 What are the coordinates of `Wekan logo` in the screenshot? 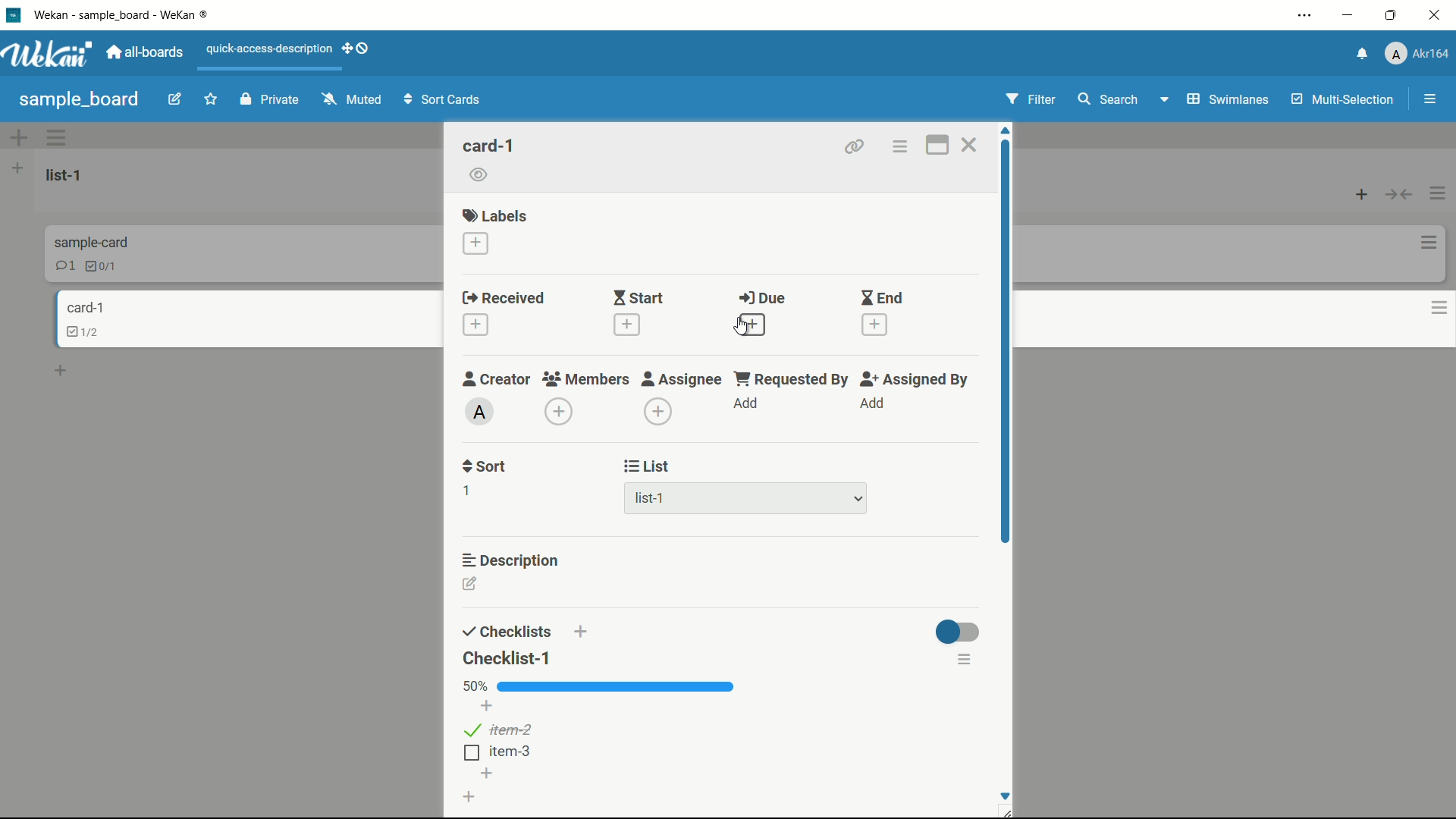 It's located at (47, 55).